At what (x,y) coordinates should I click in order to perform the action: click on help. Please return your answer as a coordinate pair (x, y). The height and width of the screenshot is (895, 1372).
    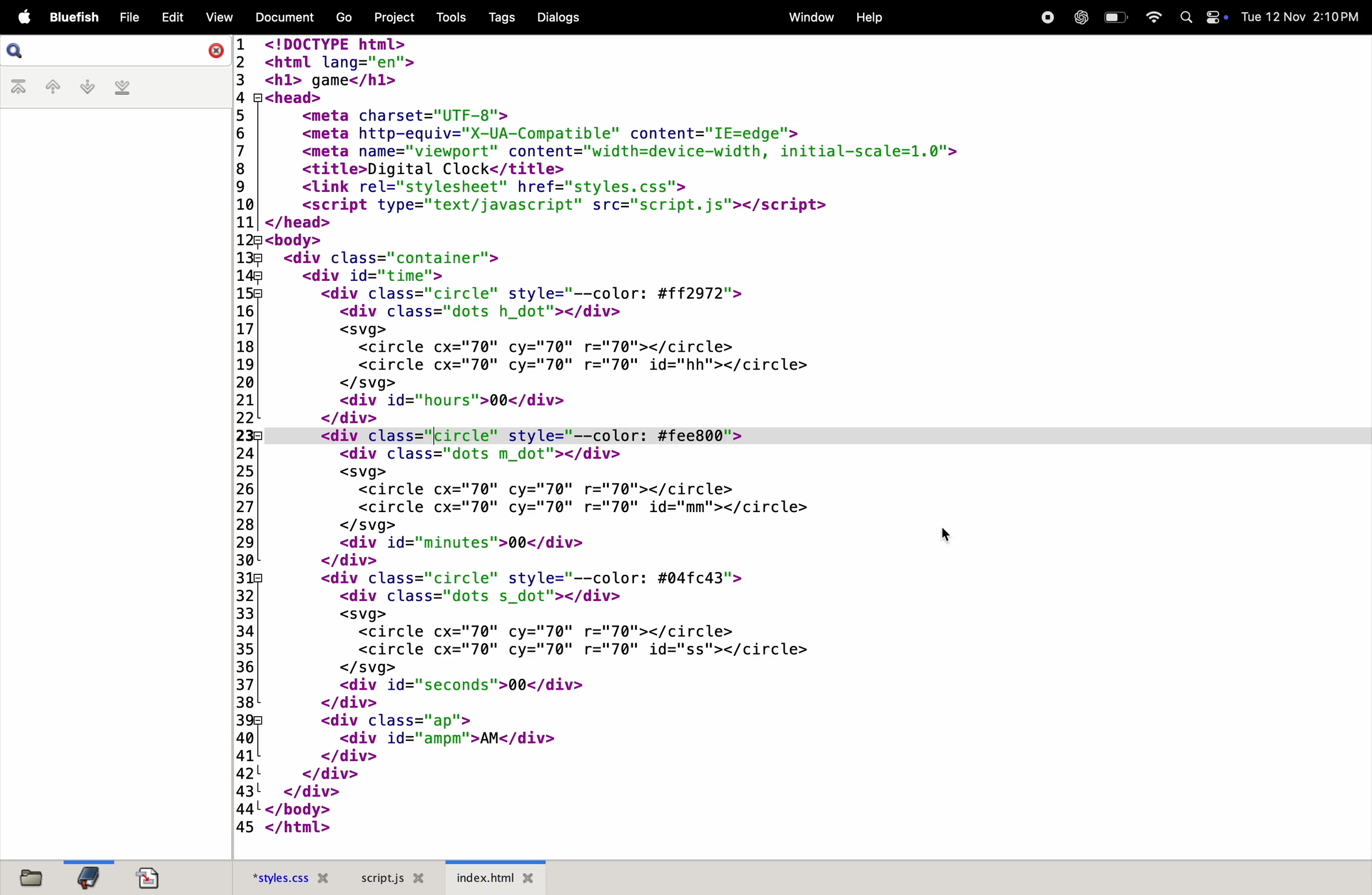
    Looking at the image, I should click on (872, 19).